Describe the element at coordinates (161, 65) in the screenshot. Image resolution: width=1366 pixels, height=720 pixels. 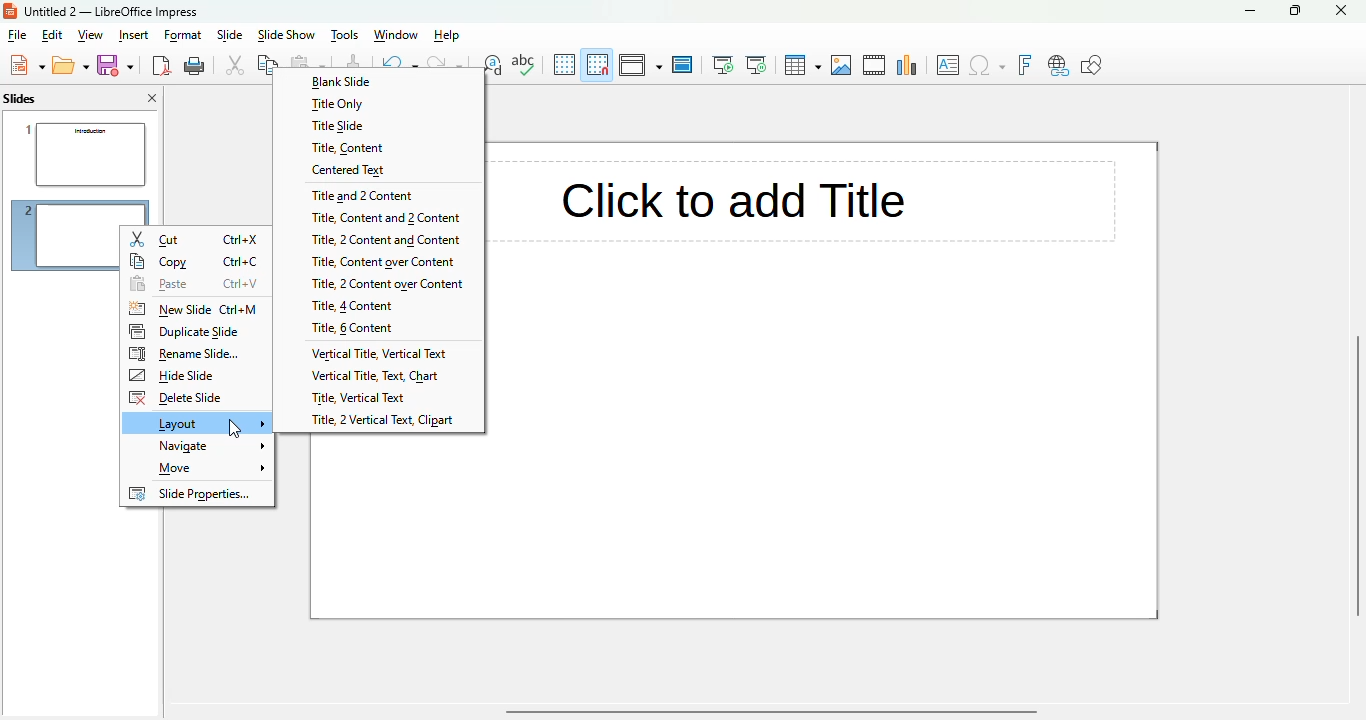
I see `export directly as PDF` at that location.